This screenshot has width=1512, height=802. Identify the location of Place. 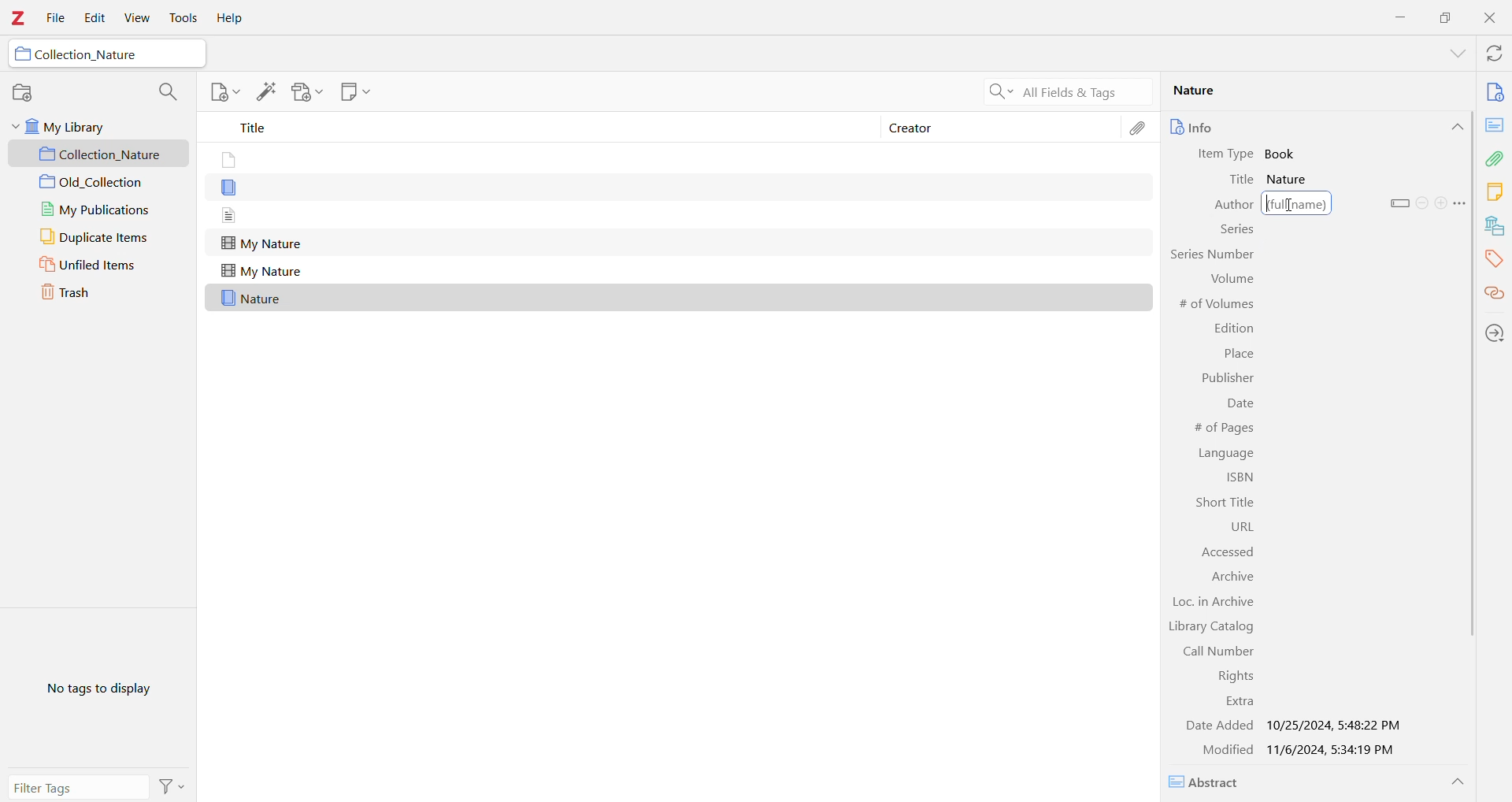
(1238, 355).